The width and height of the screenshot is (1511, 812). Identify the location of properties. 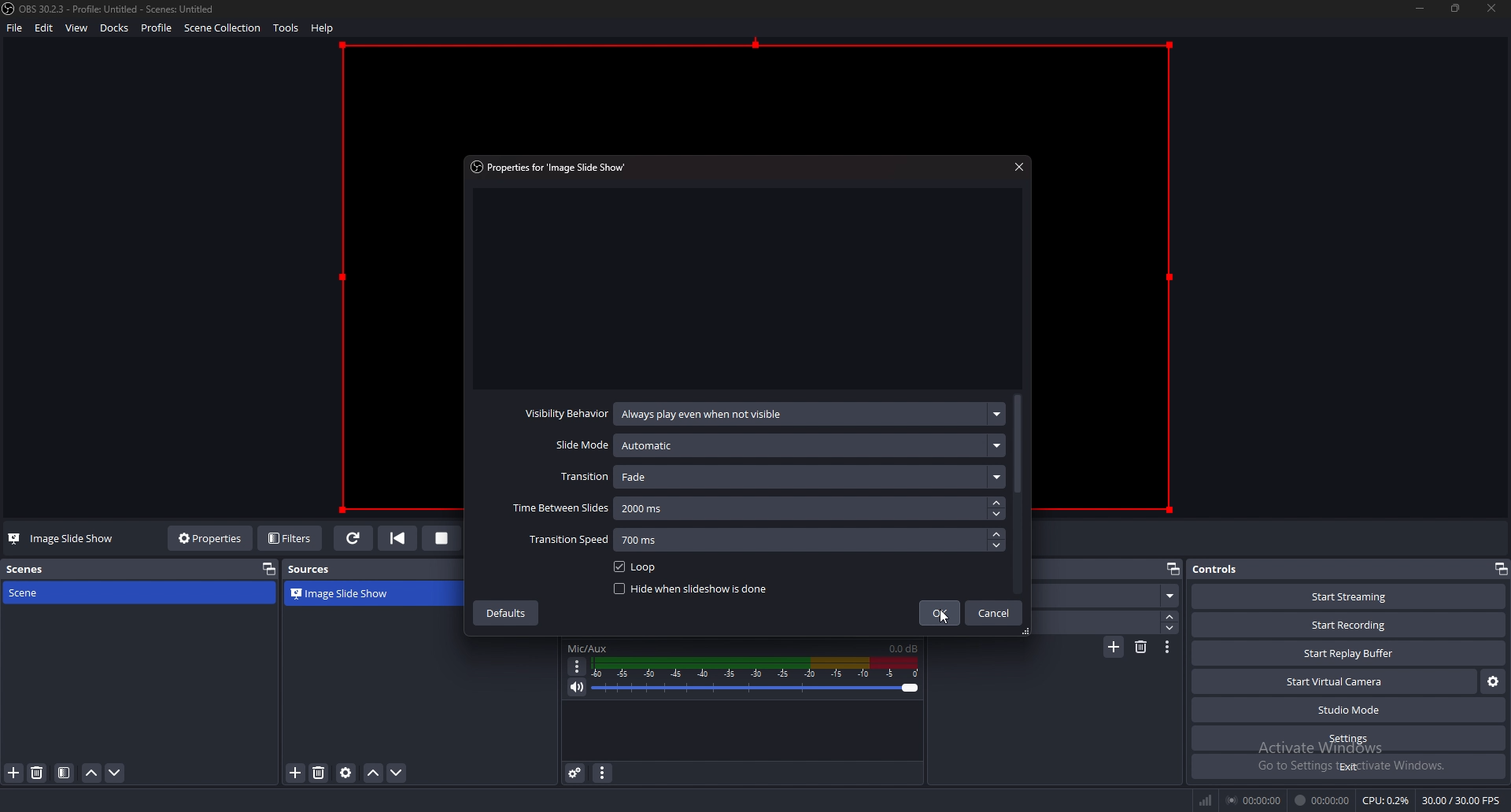
(211, 539).